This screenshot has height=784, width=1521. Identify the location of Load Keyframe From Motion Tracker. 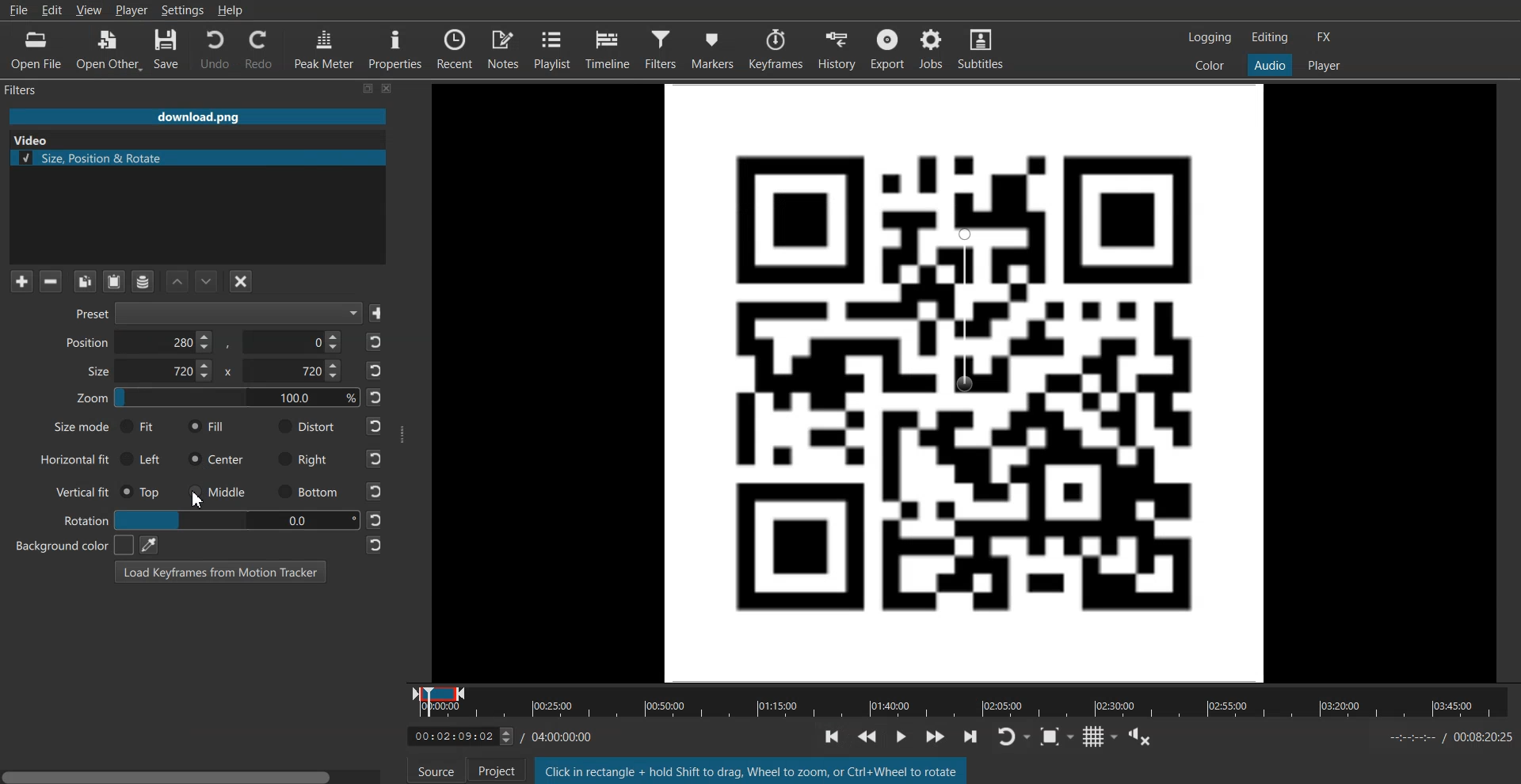
(220, 571).